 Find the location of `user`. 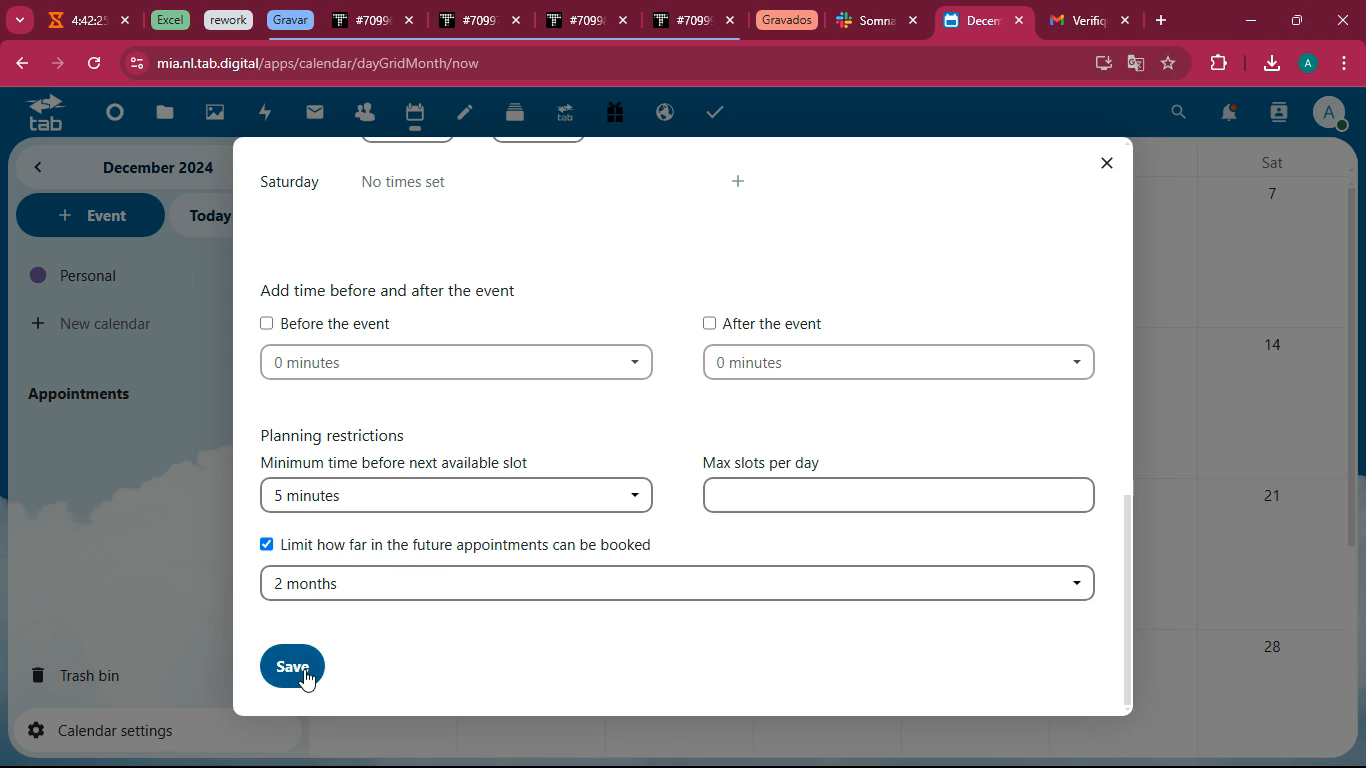

user is located at coordinates (1278, 115).